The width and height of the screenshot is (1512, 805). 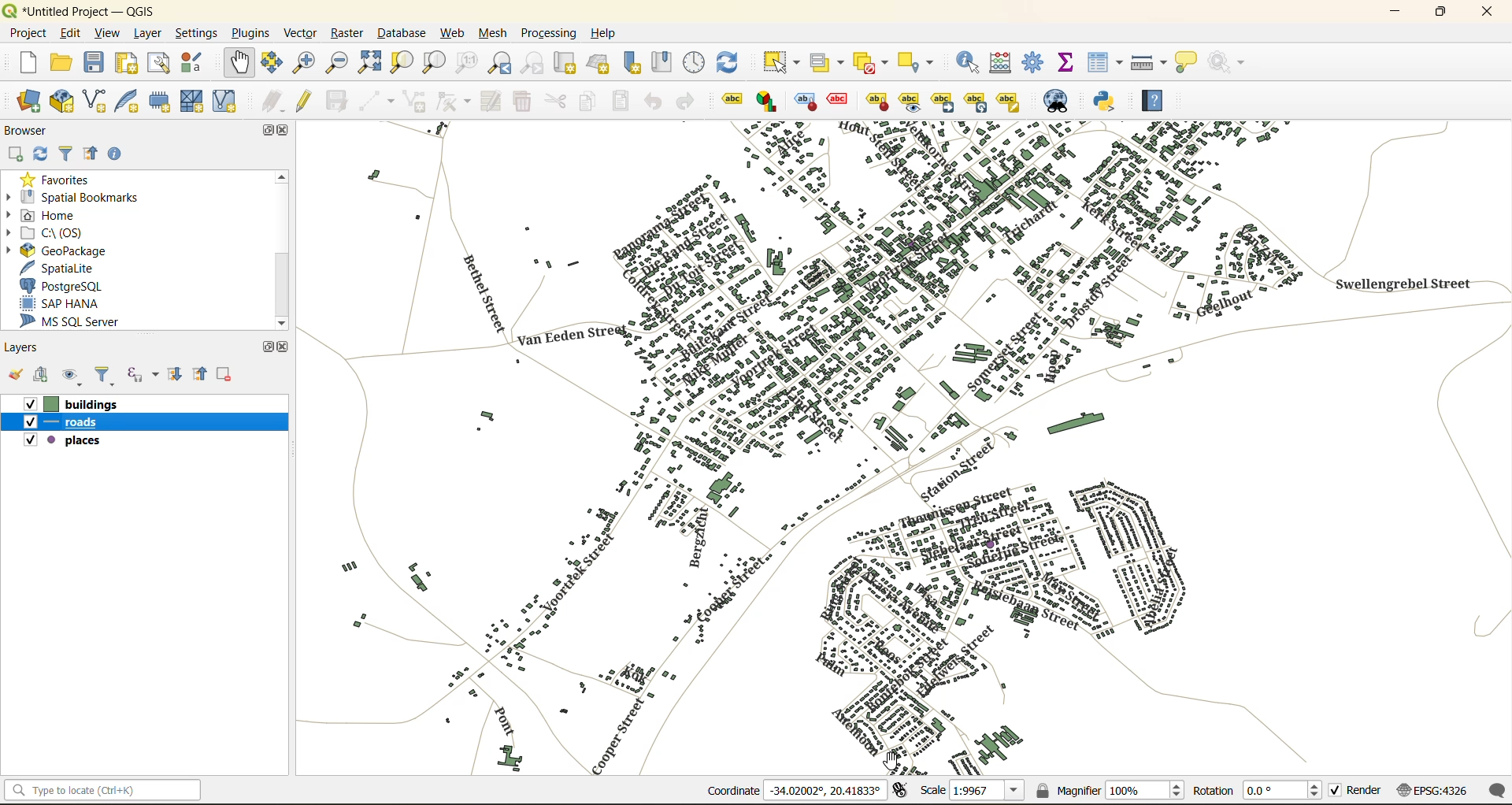 I want to click on show layout, so click(x=157, y=63).